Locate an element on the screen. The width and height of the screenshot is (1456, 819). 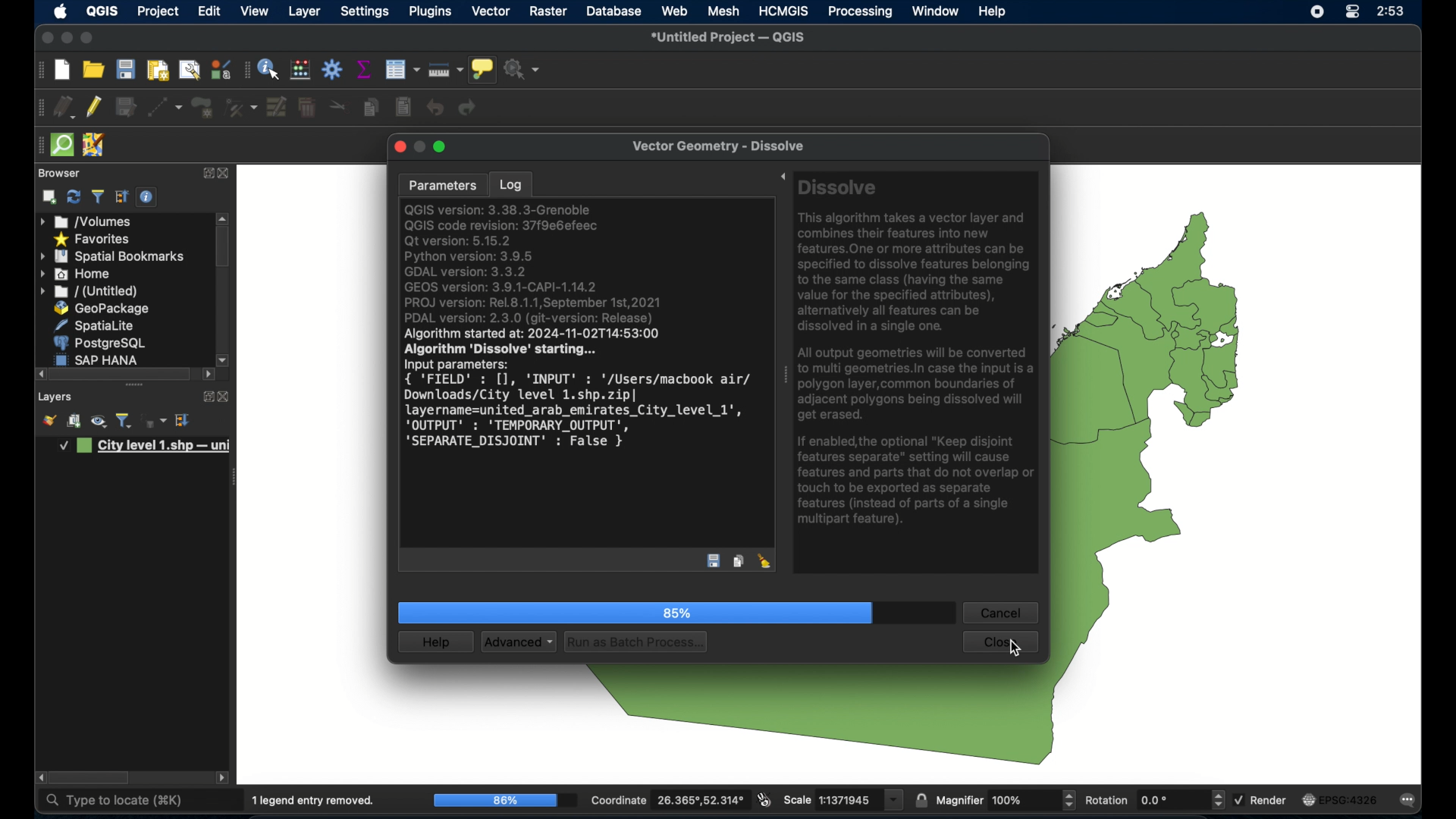
advanced is located at coordinates (518, 642).